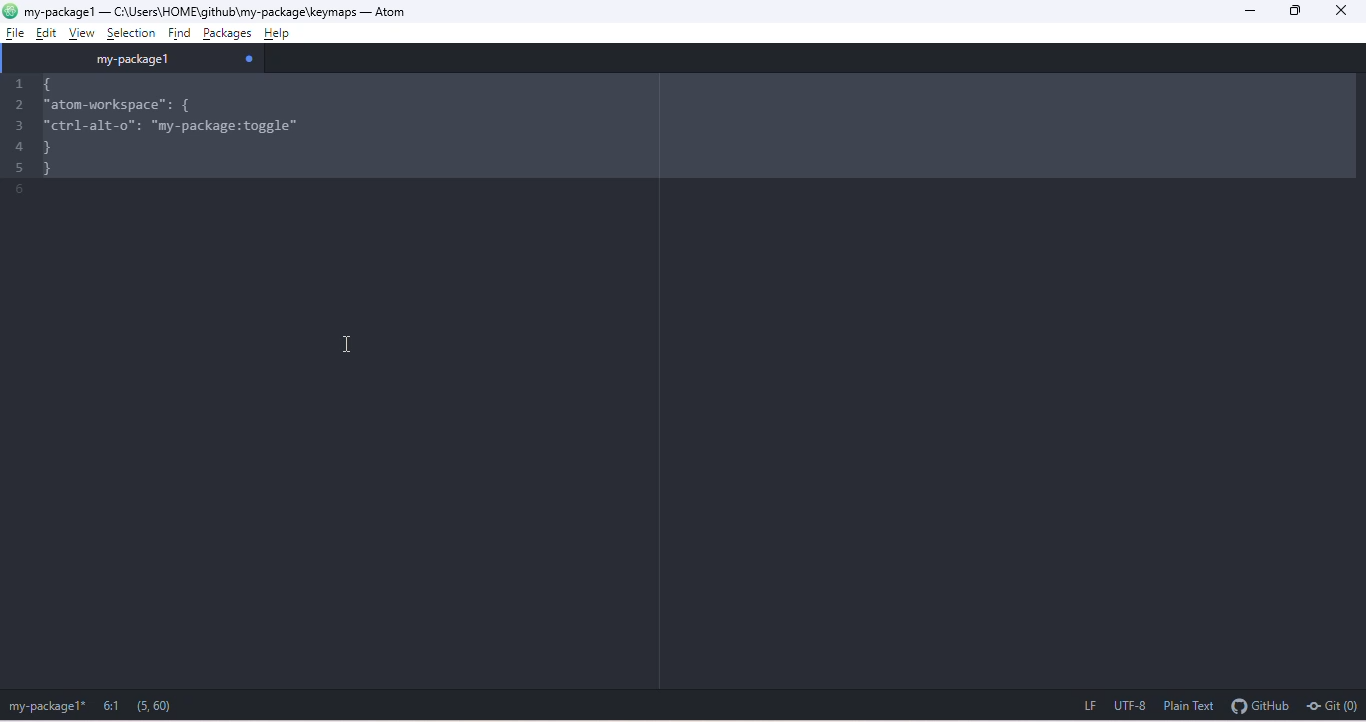 This screenshot has height=722, width=1366. Describe the element at coordinates (1081, 707) in the screenshot. I see `lf` at that location.